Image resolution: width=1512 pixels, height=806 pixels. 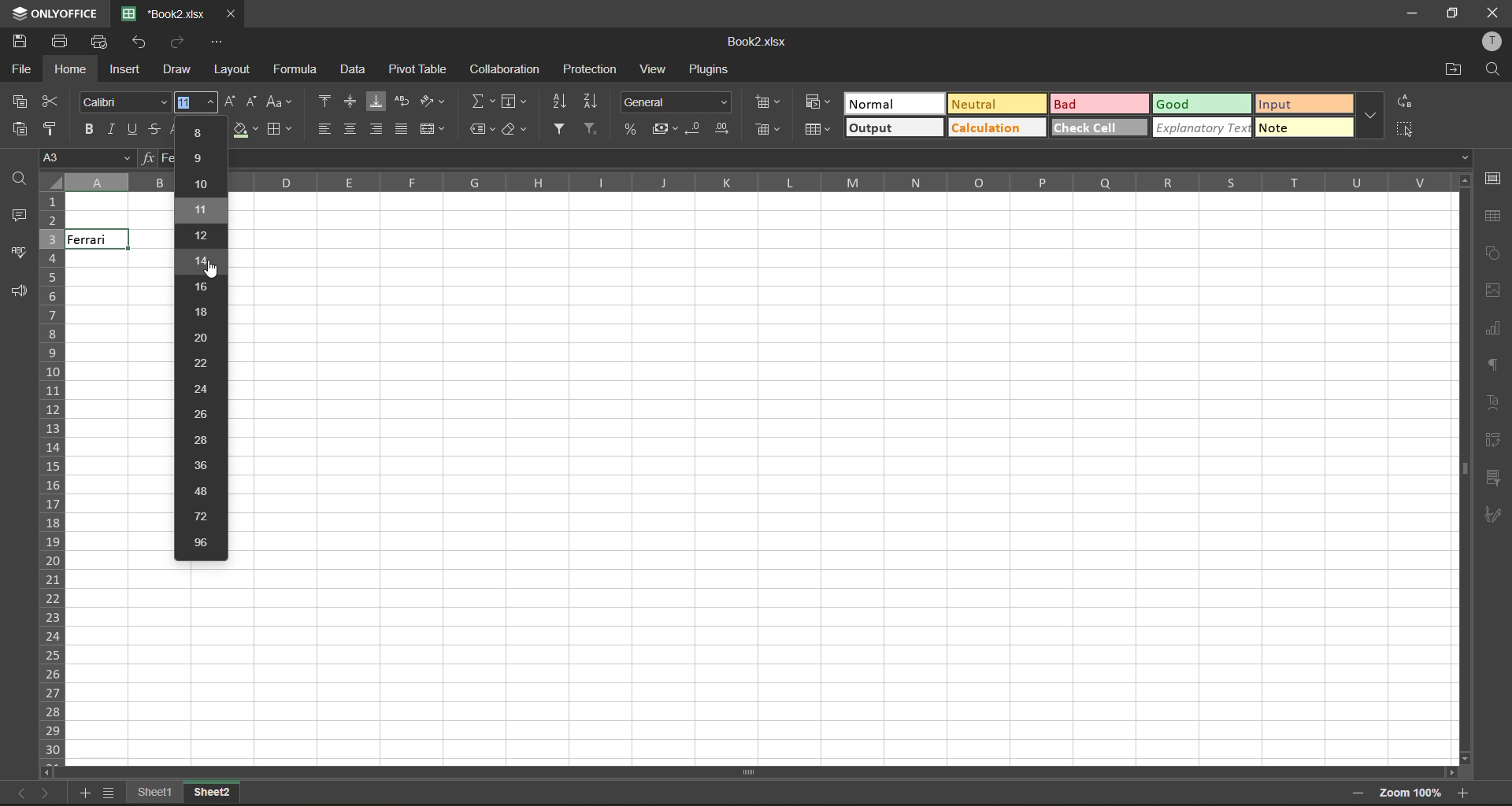 What do you see at coordinates (1414, 12) in the screenshot?
I see `minimize` at bounding box center [1414, 12].